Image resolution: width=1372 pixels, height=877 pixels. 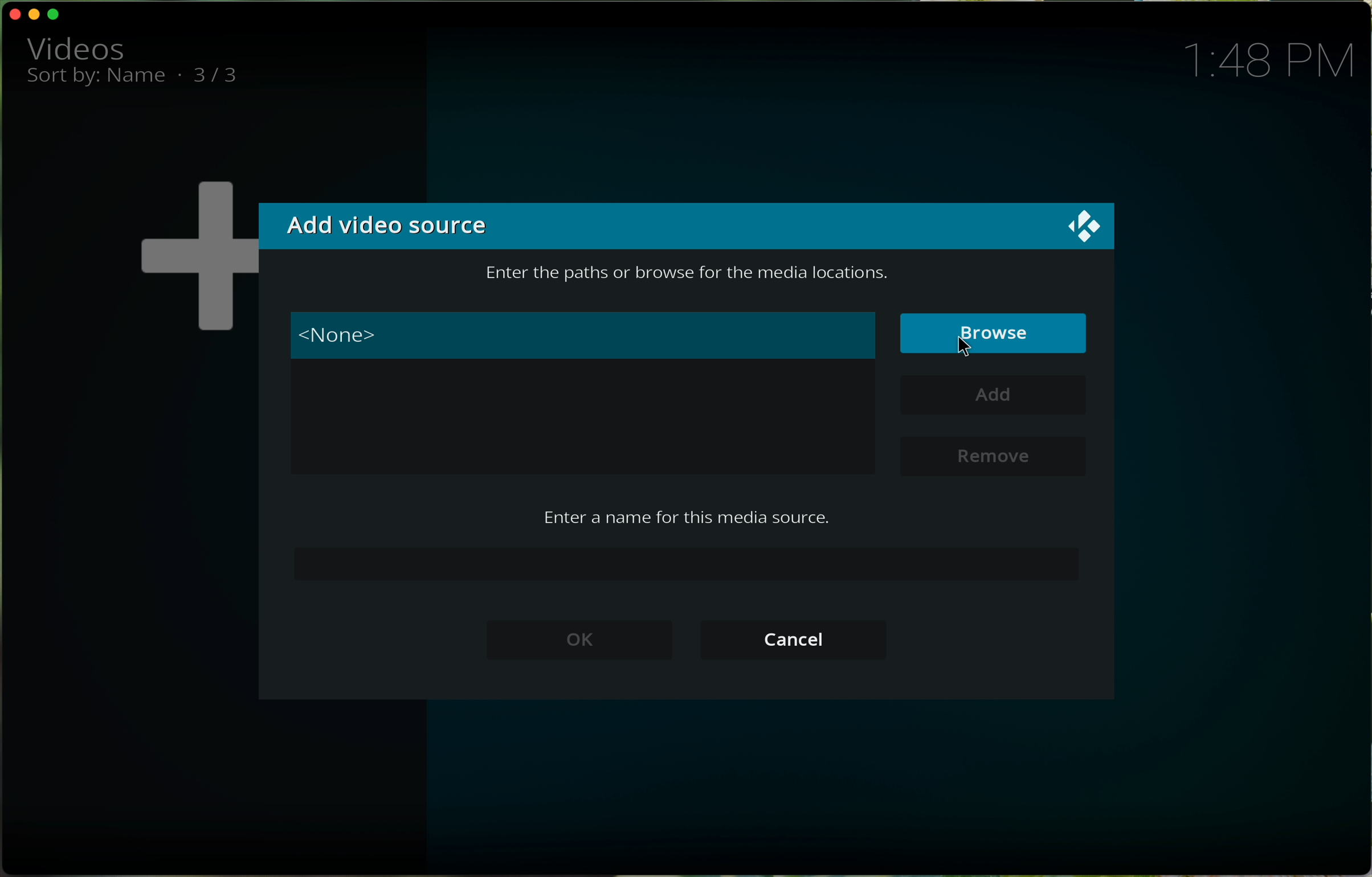 I want to click on enter the paths or browse for the media locations, so click(x=688, y=275).